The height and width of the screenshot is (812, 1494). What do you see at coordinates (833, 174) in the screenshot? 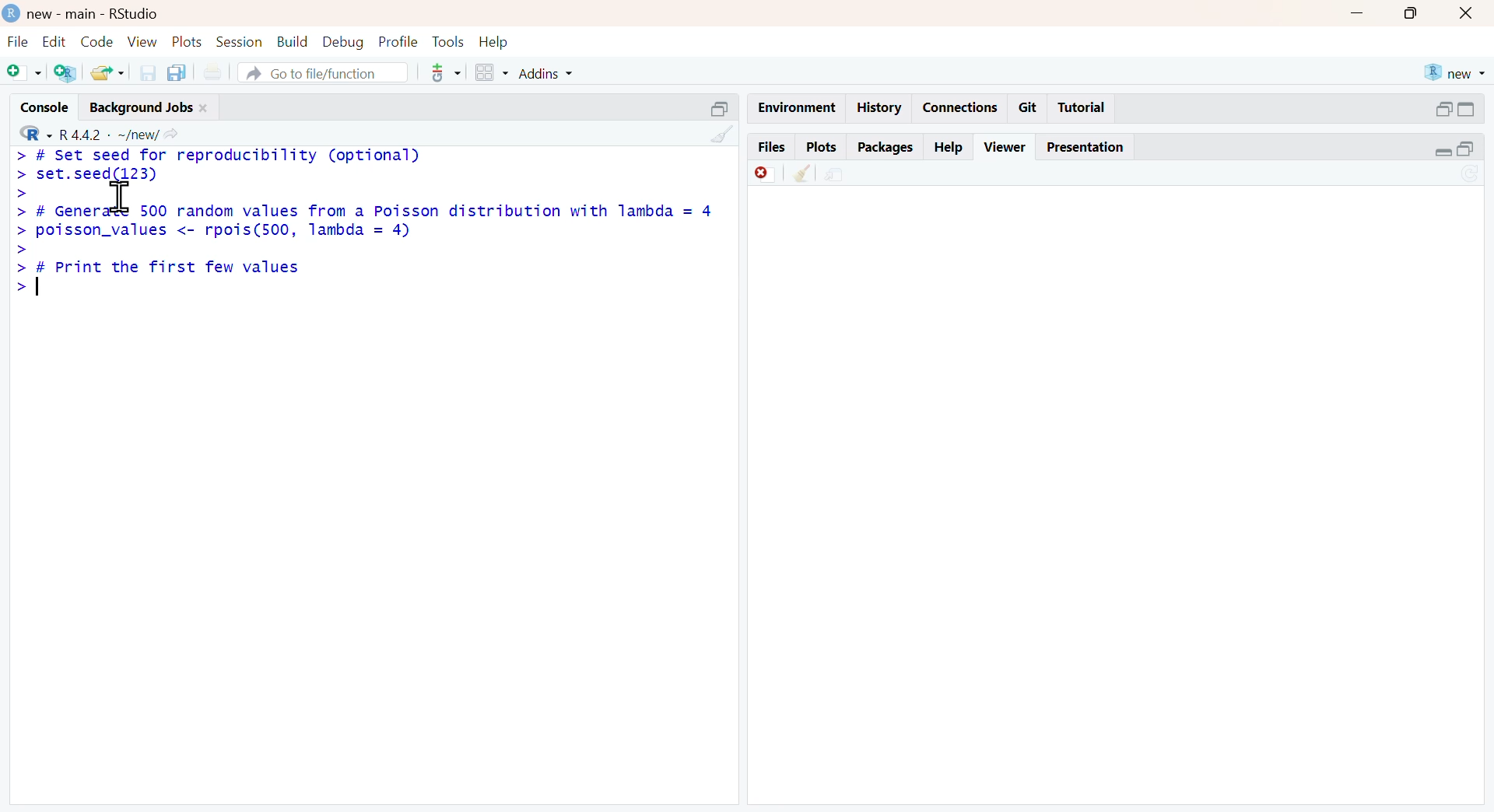
I see `share` at bounding box center [833, 174].